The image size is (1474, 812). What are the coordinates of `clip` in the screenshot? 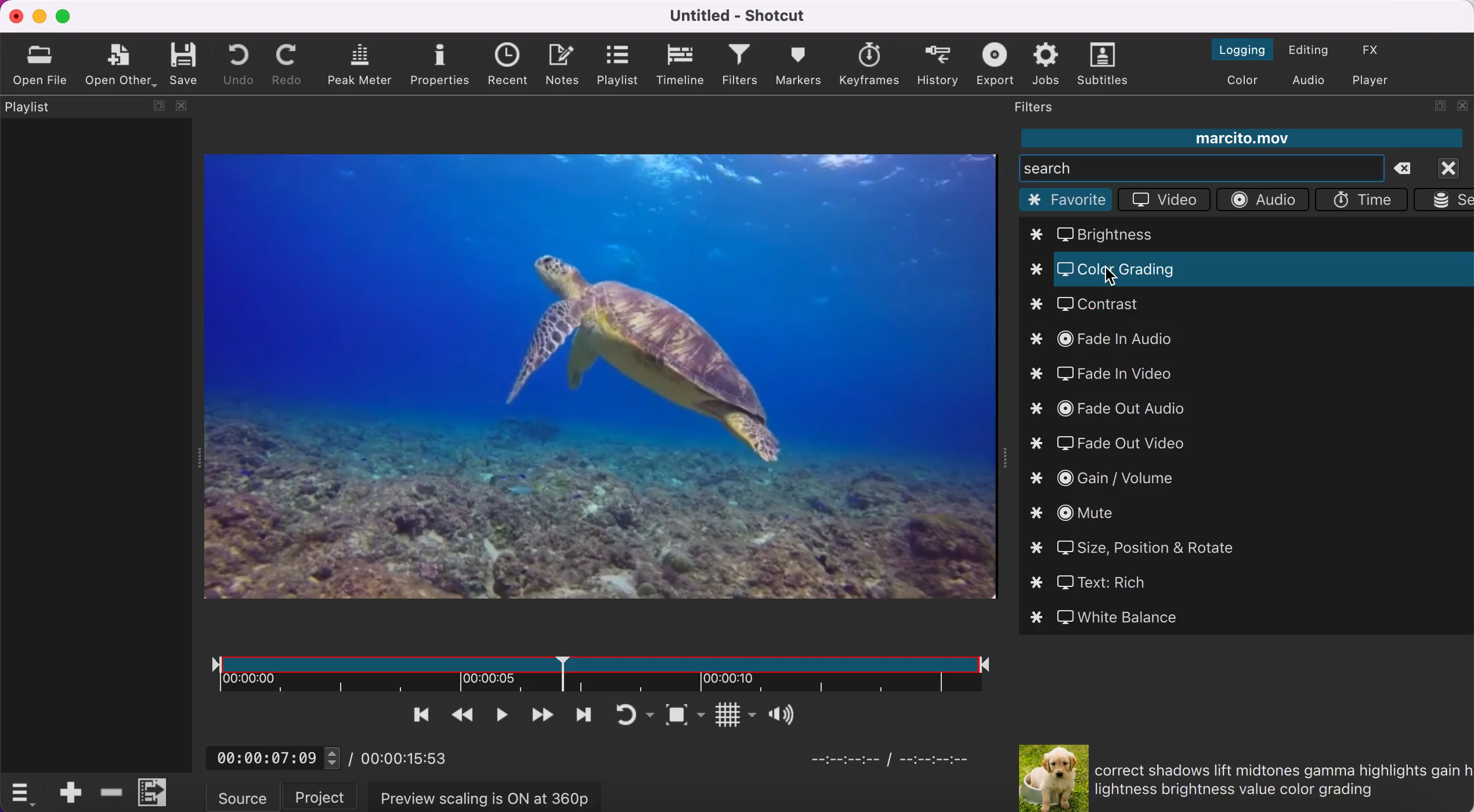 It's located at (602, 384).